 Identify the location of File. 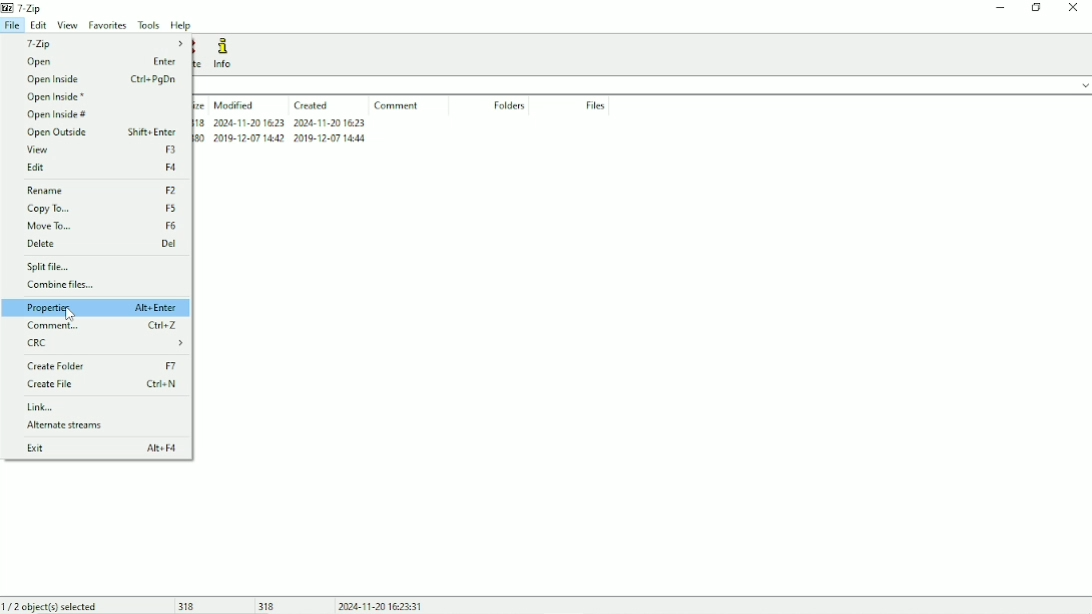
(13, 28).